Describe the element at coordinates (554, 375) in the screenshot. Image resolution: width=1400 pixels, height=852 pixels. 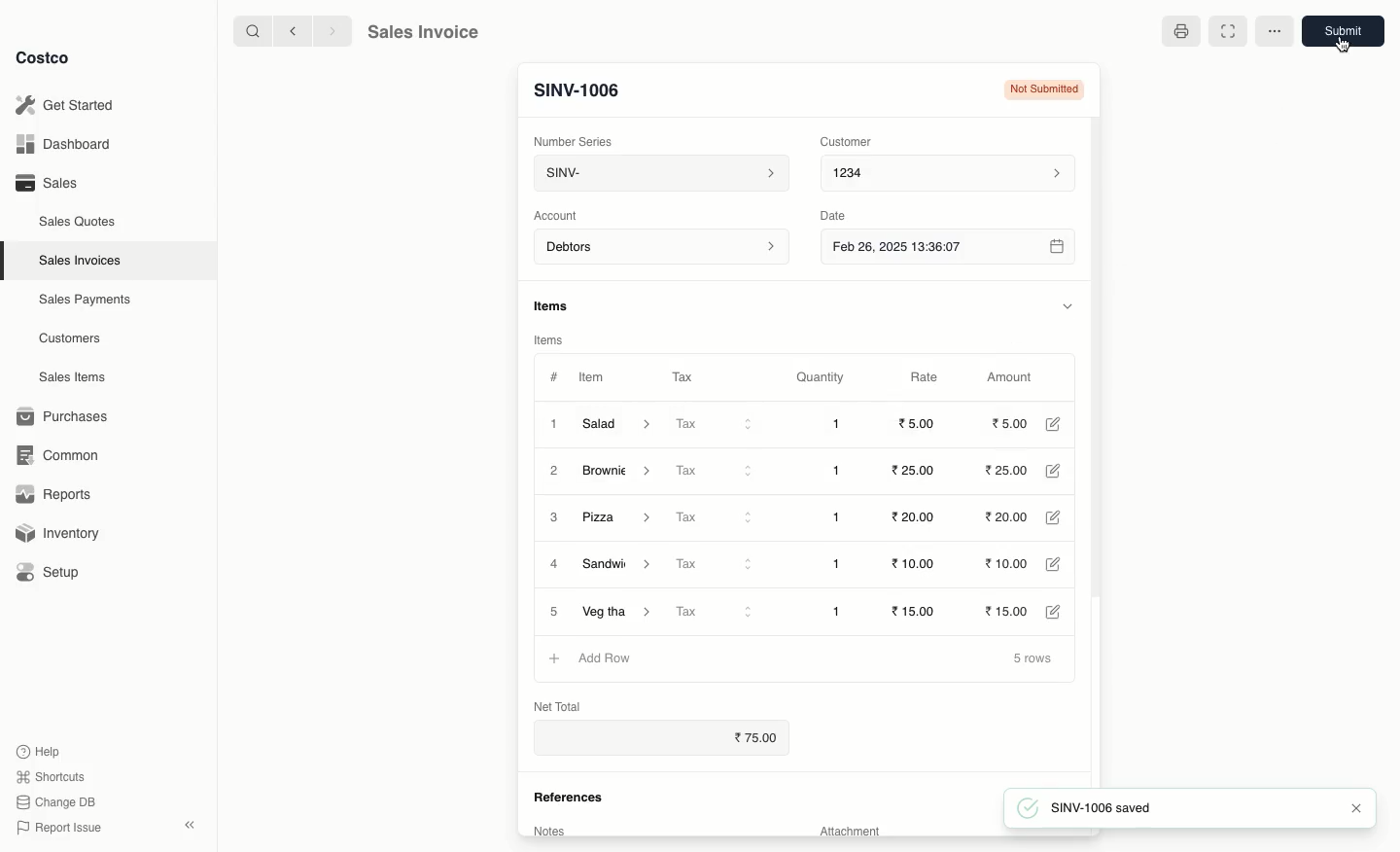
I see `#` at that location.